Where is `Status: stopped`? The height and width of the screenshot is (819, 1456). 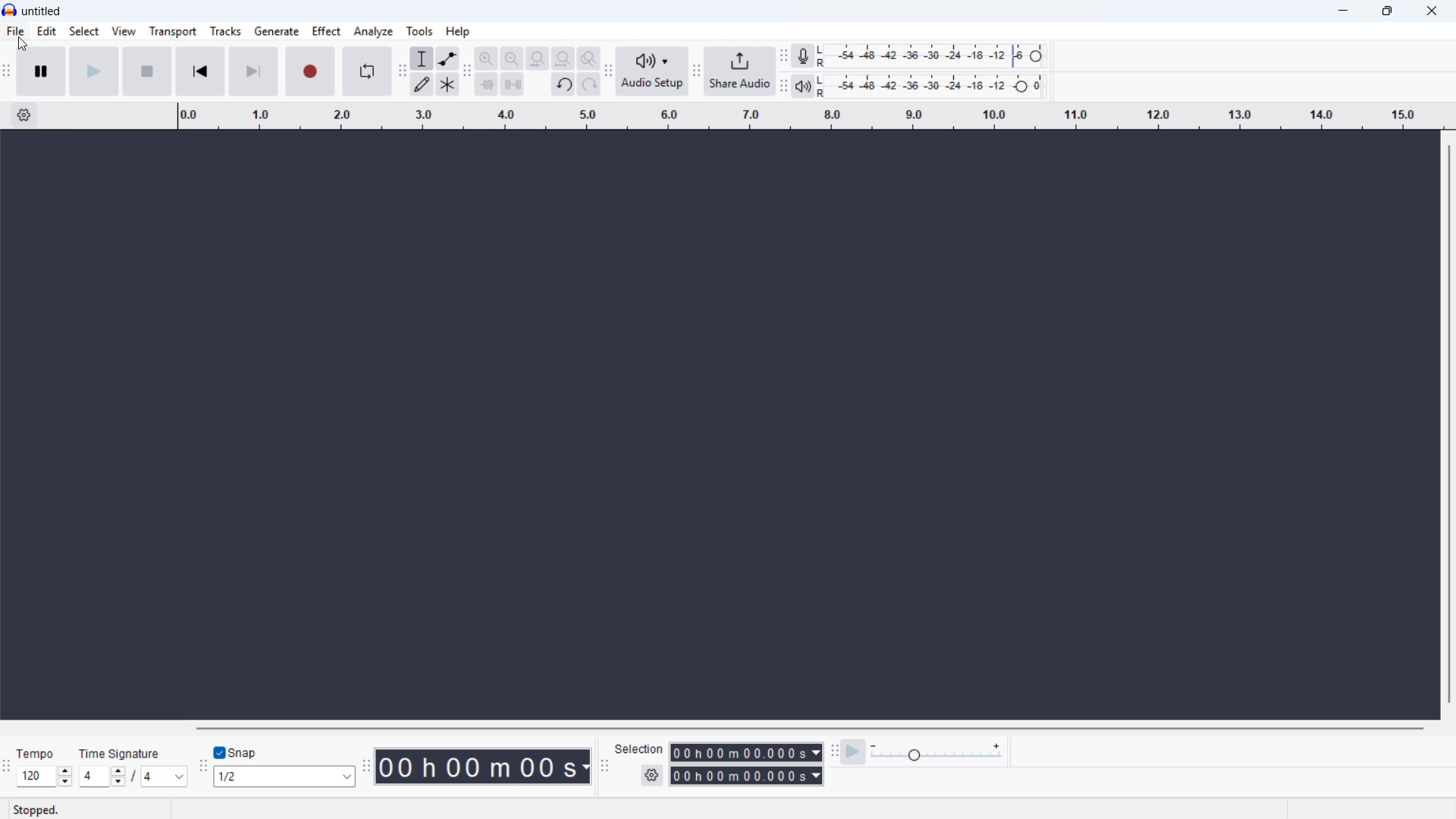 Status: stopped is located at coordinates (36, 810).